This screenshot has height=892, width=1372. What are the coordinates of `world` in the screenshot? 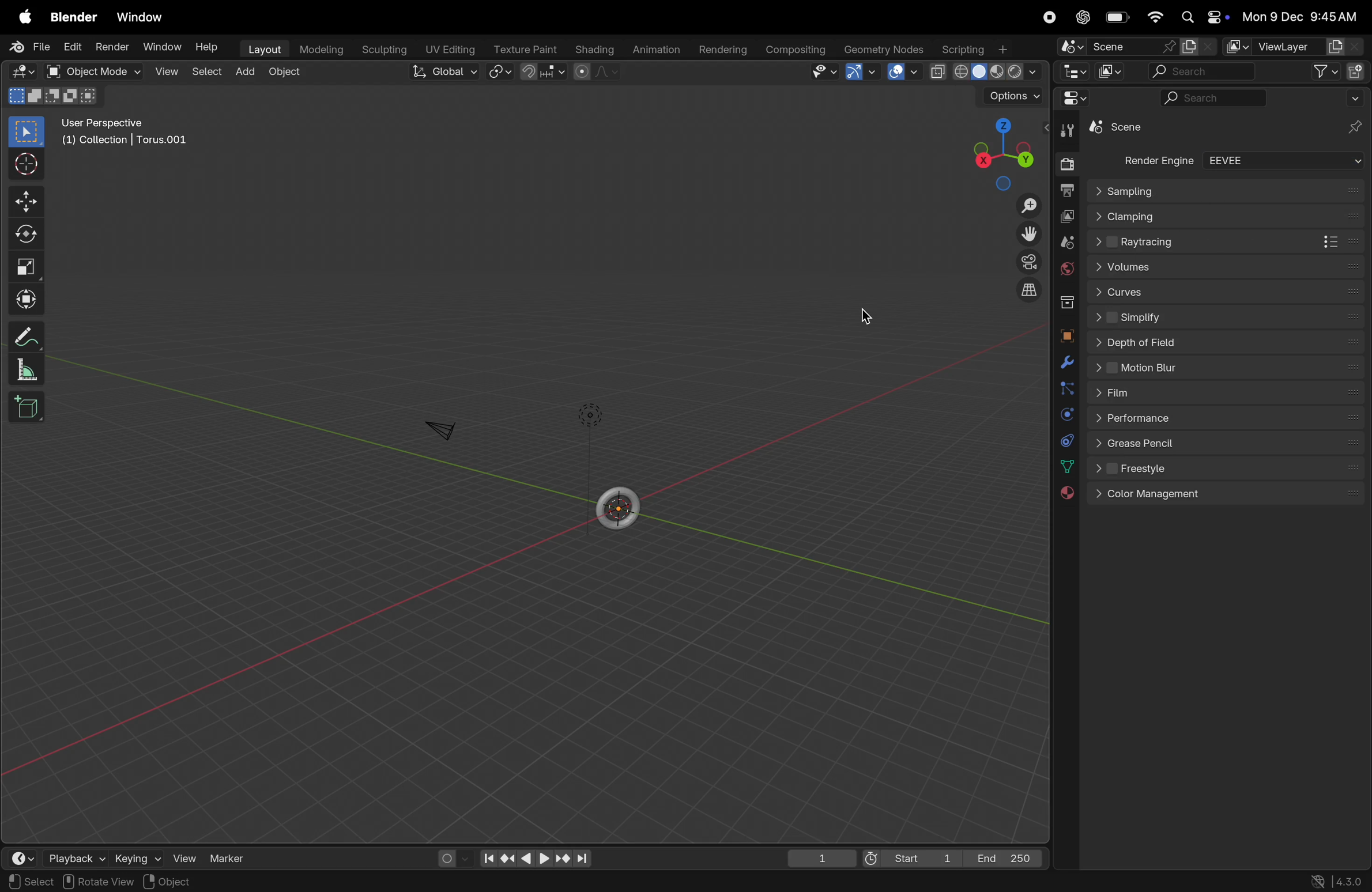 It's located at (1062, 270).